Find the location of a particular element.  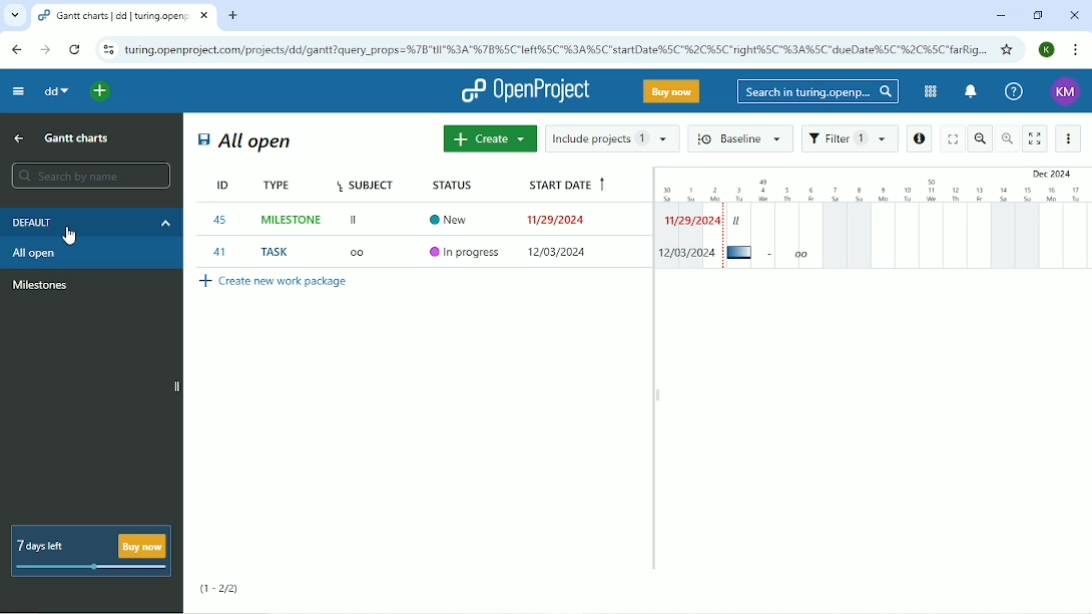

Gantt charts is located at coordinates (81, 137).